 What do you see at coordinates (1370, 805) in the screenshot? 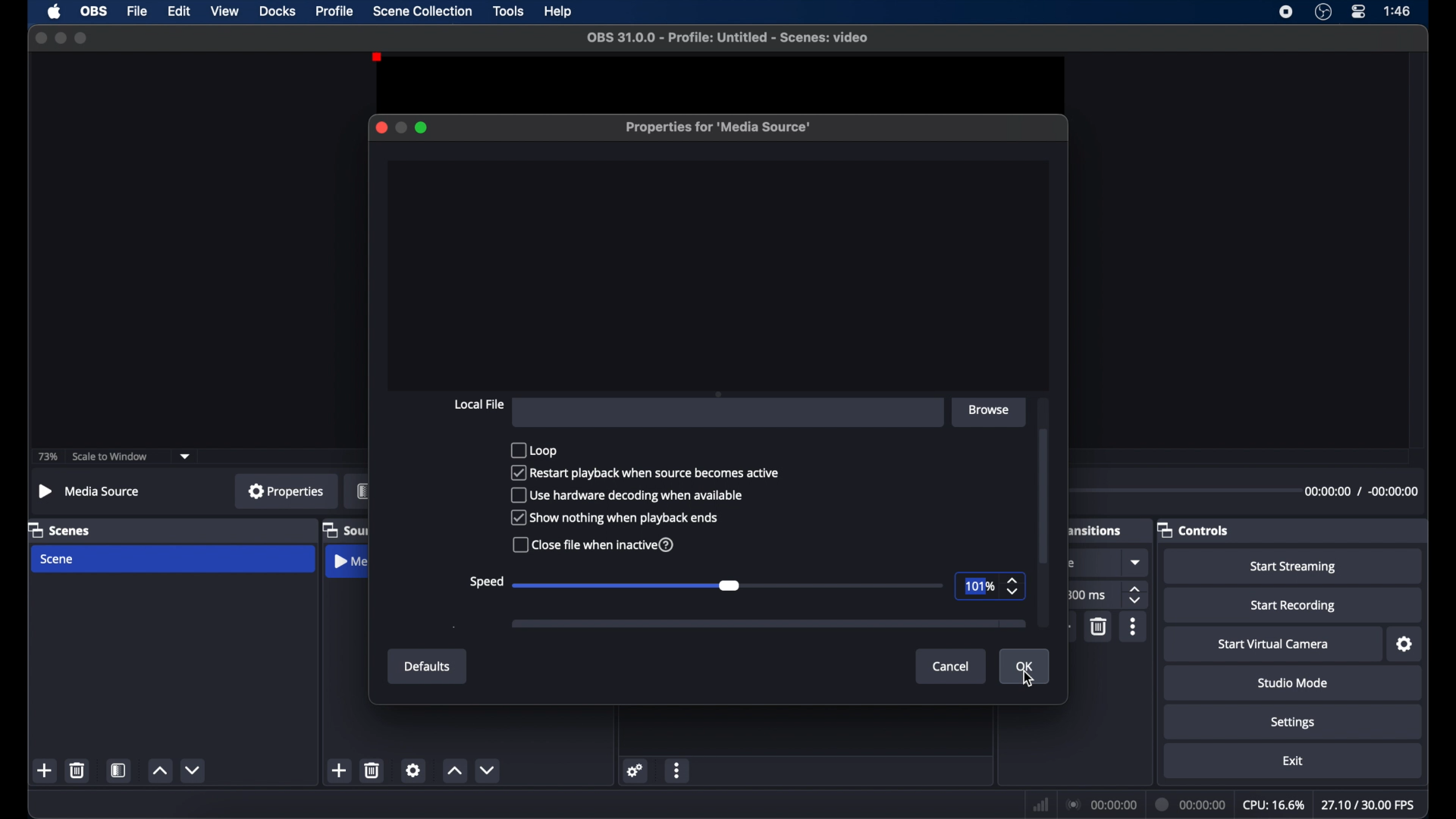
I see `fps` at bounding box center [1370, 805].